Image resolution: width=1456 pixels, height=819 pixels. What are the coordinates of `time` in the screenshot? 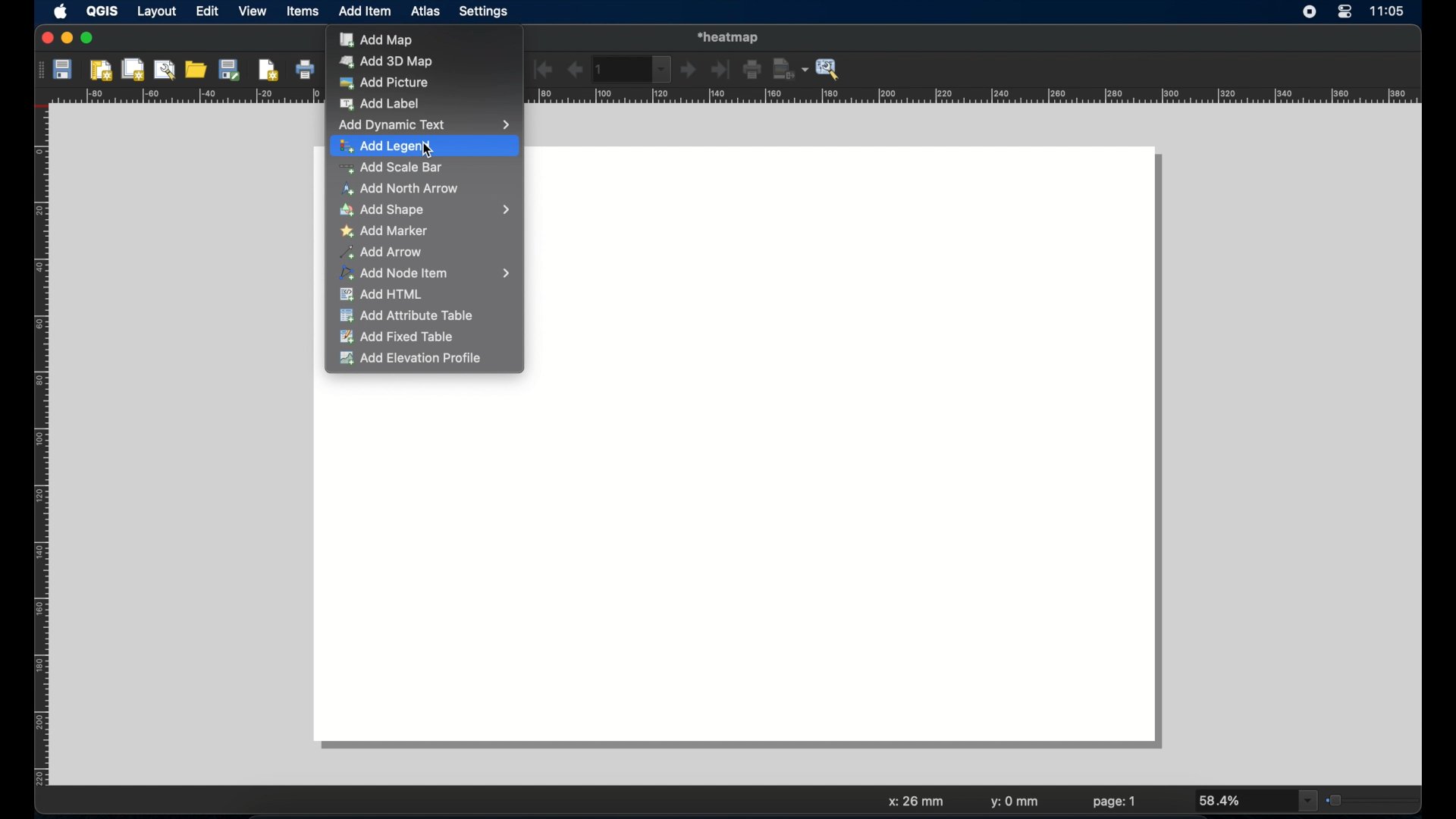 It's located at (1390, 12).